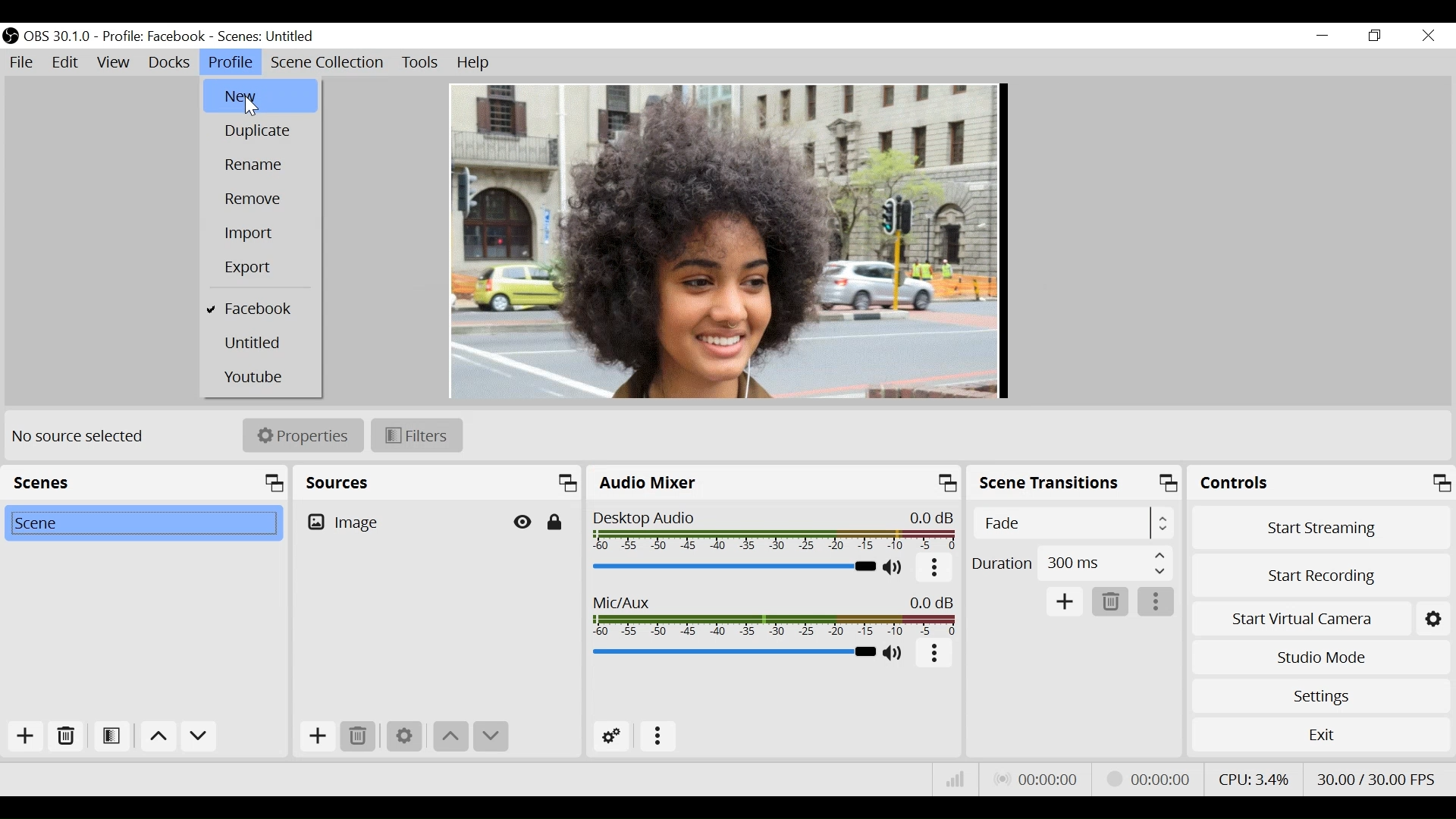  What do you see at coordinates (1373, 36) in the screenshot?
I see `Restore` at bounding box center [1373, 36].